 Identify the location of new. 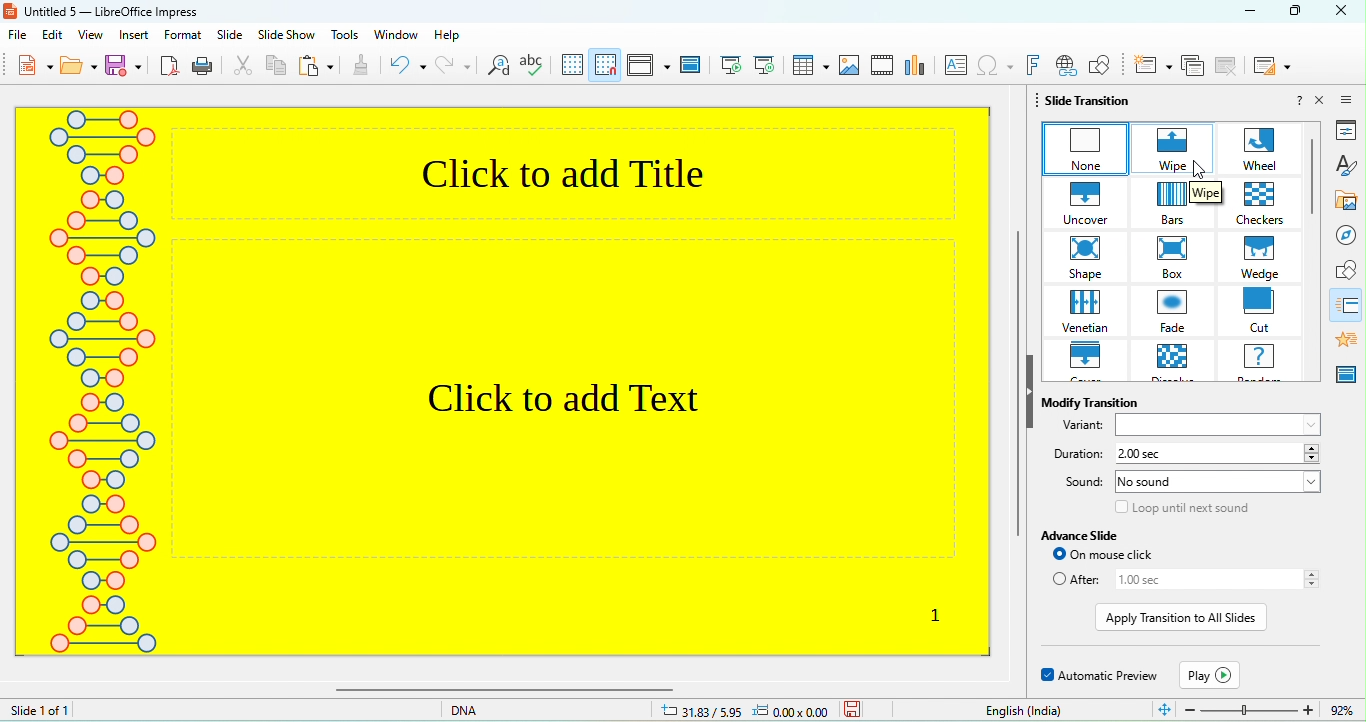
(25, 67).